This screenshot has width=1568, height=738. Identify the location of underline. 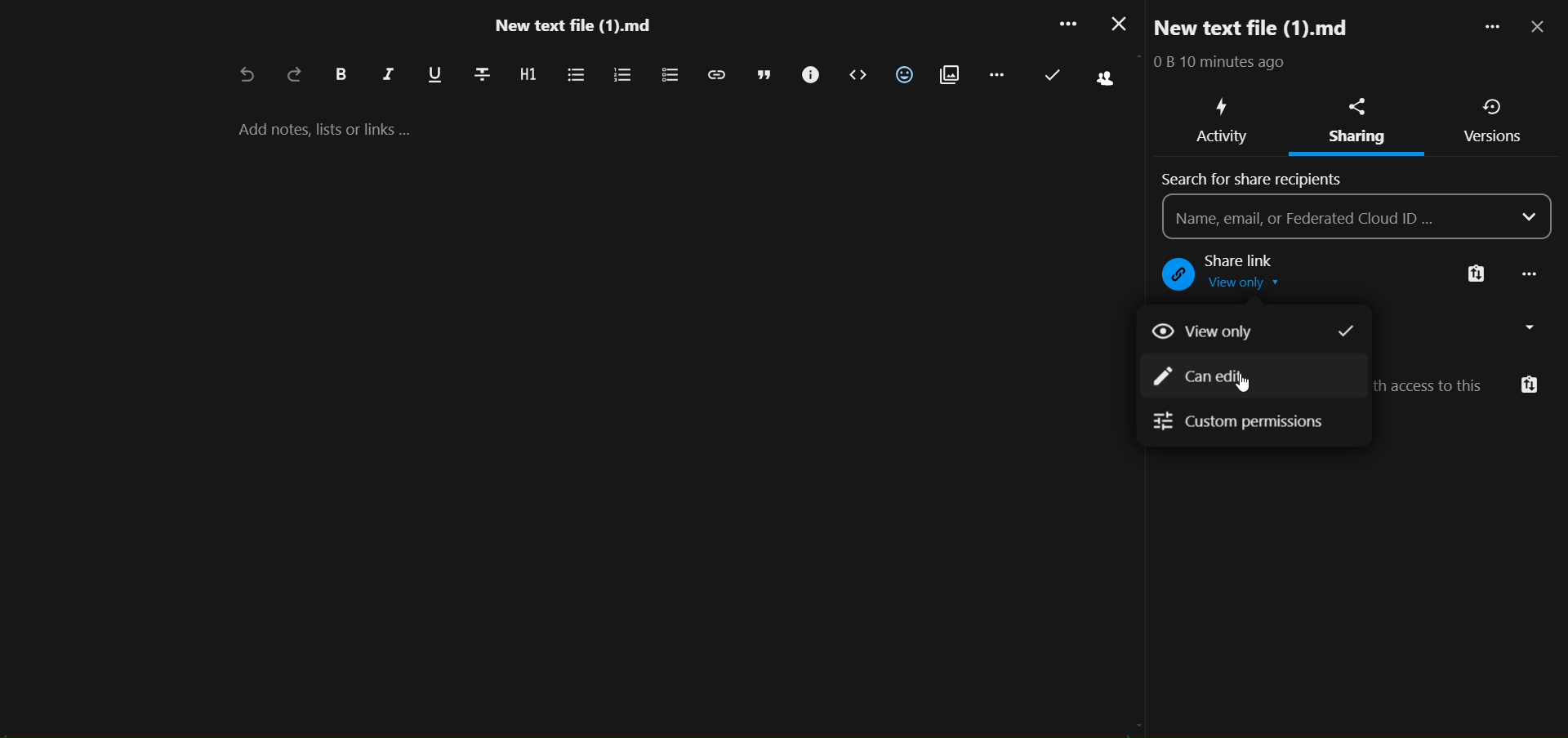
(434, 76).